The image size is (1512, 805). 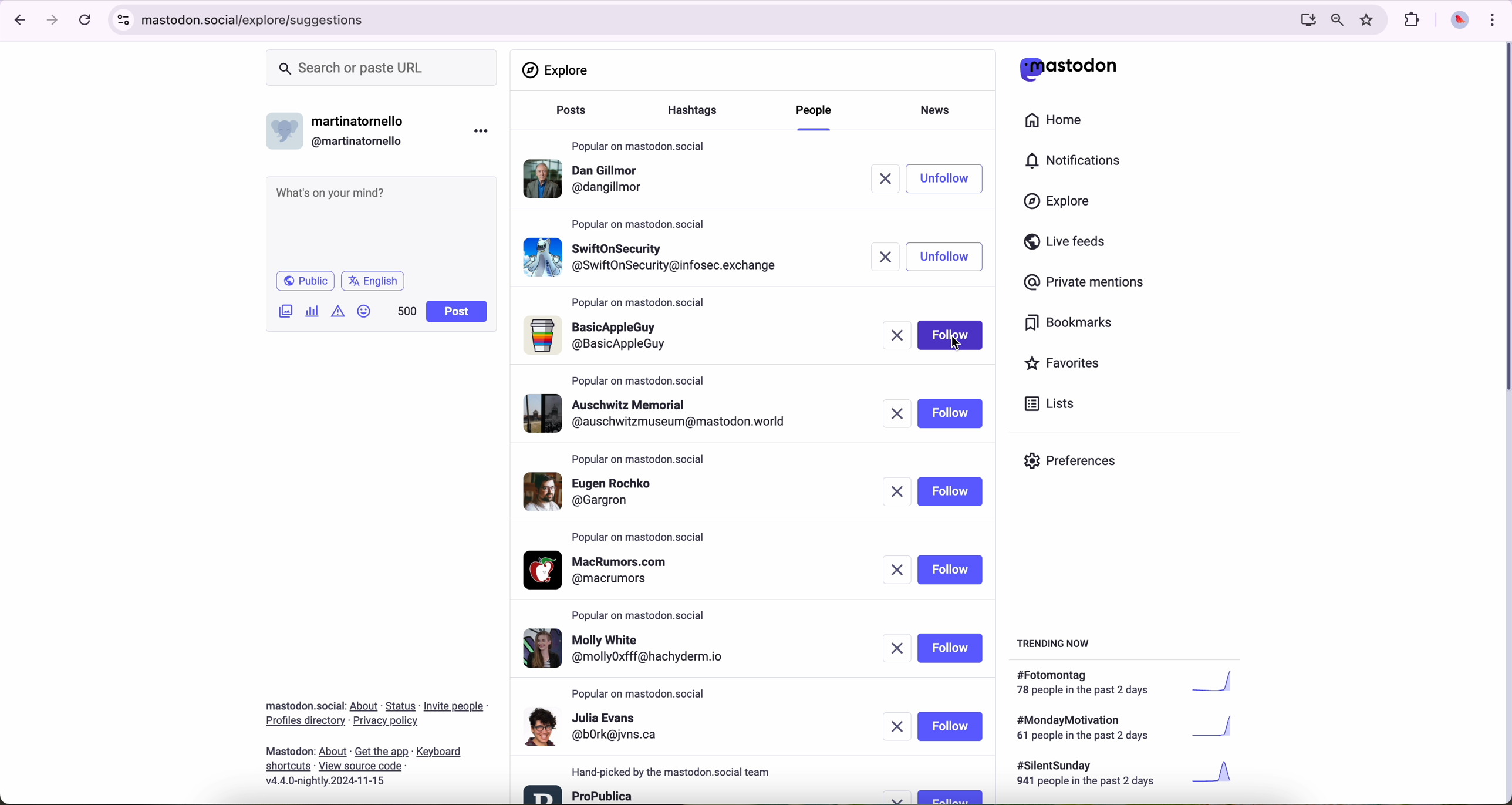 I want to click on remove, so click(x=887, y=256).